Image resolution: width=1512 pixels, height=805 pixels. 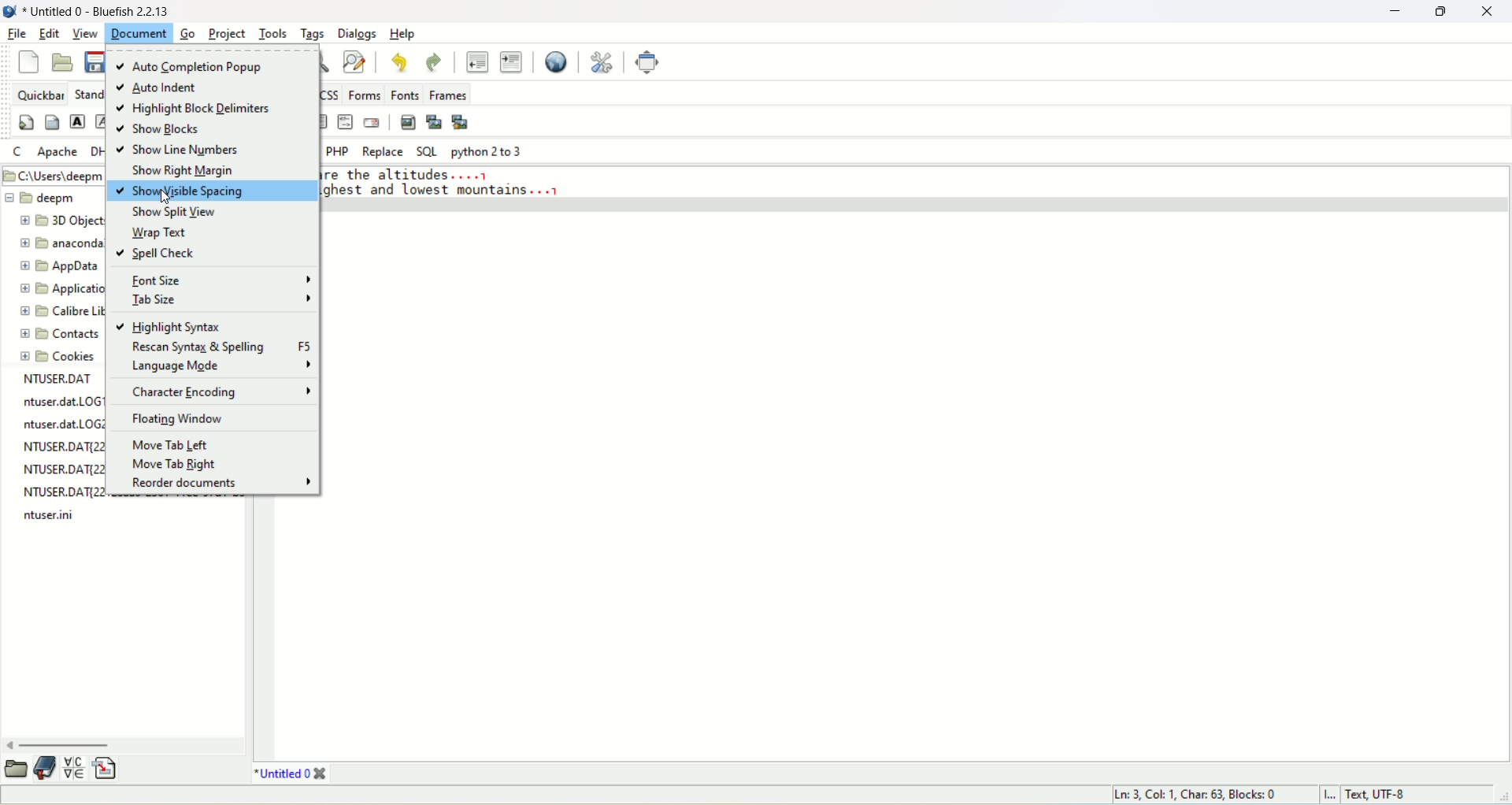 What do you see at coordinates (172, 326) in the screenshot?
I see `highlight syntax` at bounding box center [172, 326].